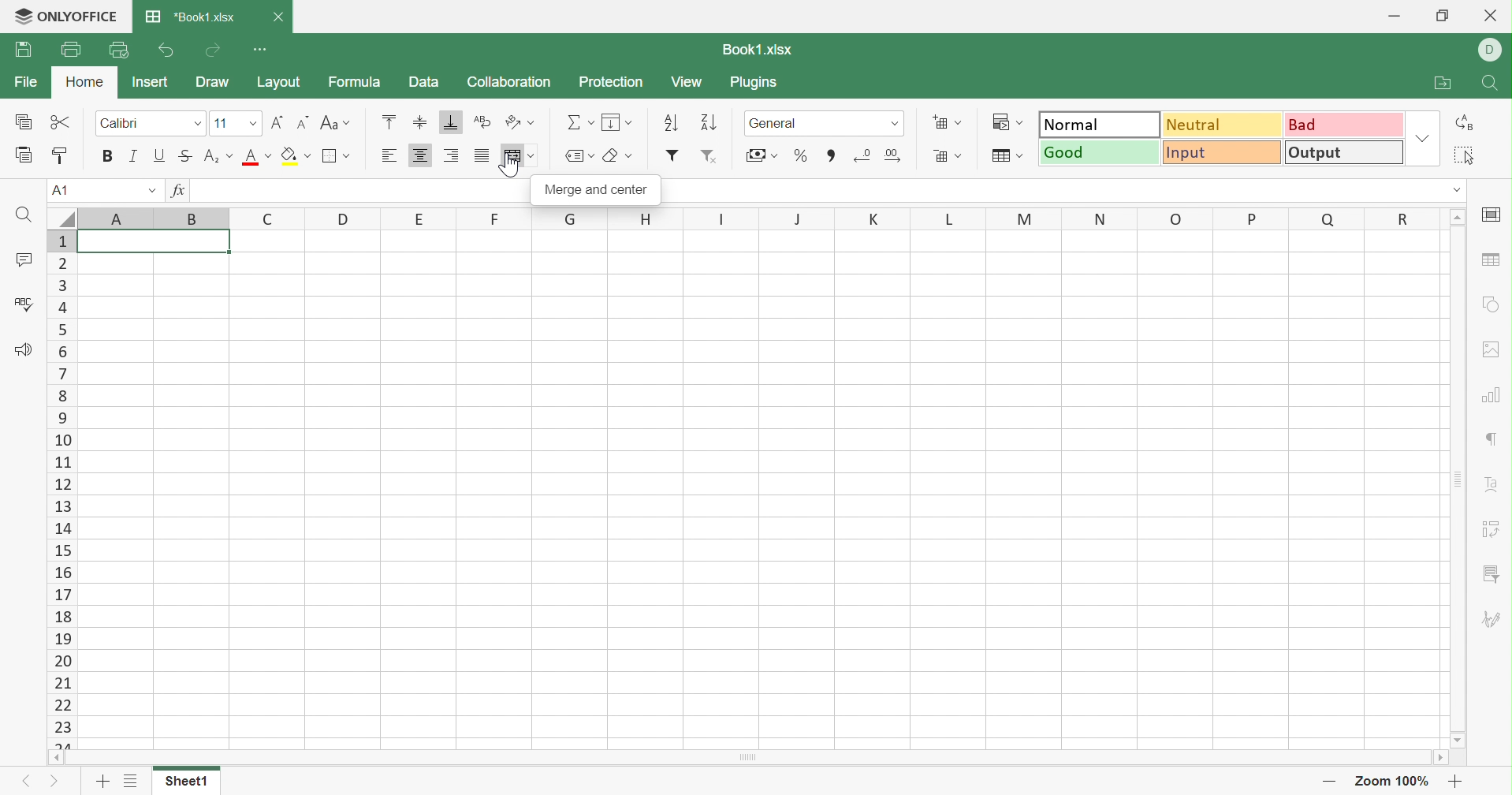 This screenshot has width=1512, height=795. What do you see at coordinates (155, 190) in the screenshot?
I see `Drop Down` at bounding box center [155, 190].